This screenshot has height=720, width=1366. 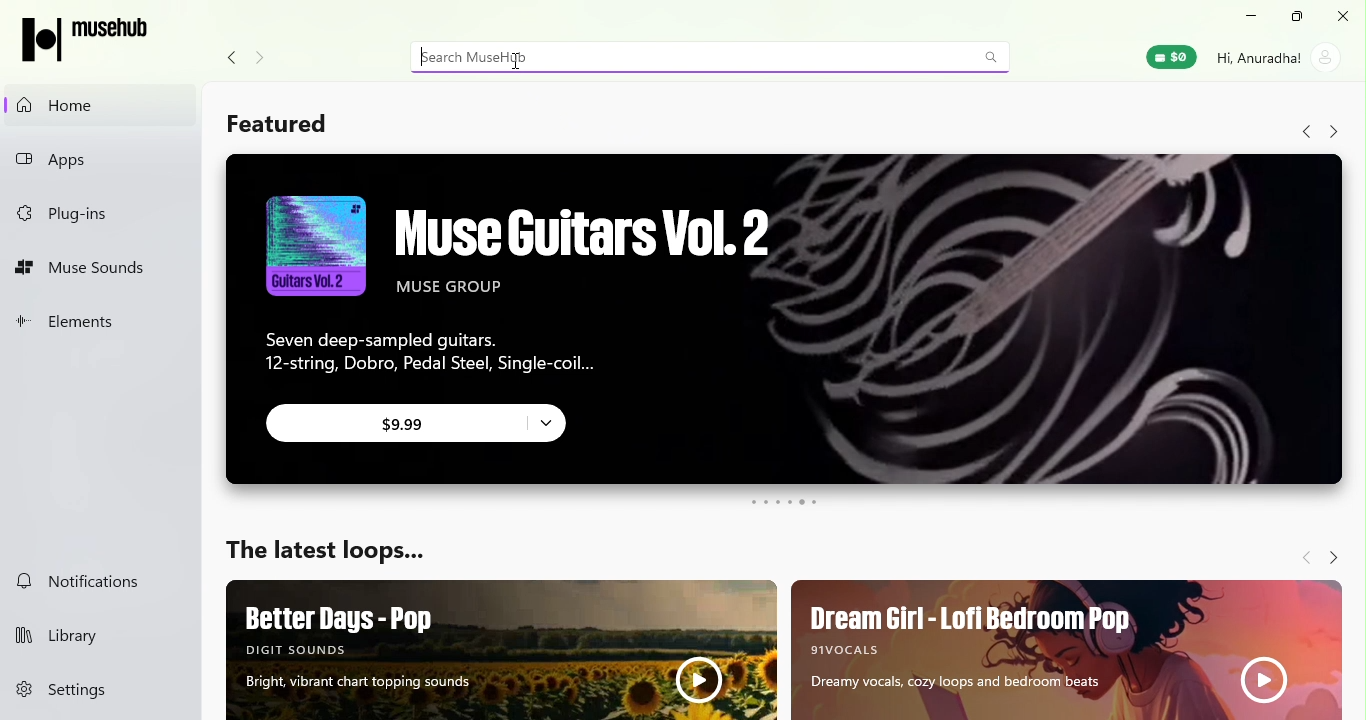 What do you see at coordinates (227, 58) in the screenshot?
I see `Navigate back` at bounding box center [227, 58].